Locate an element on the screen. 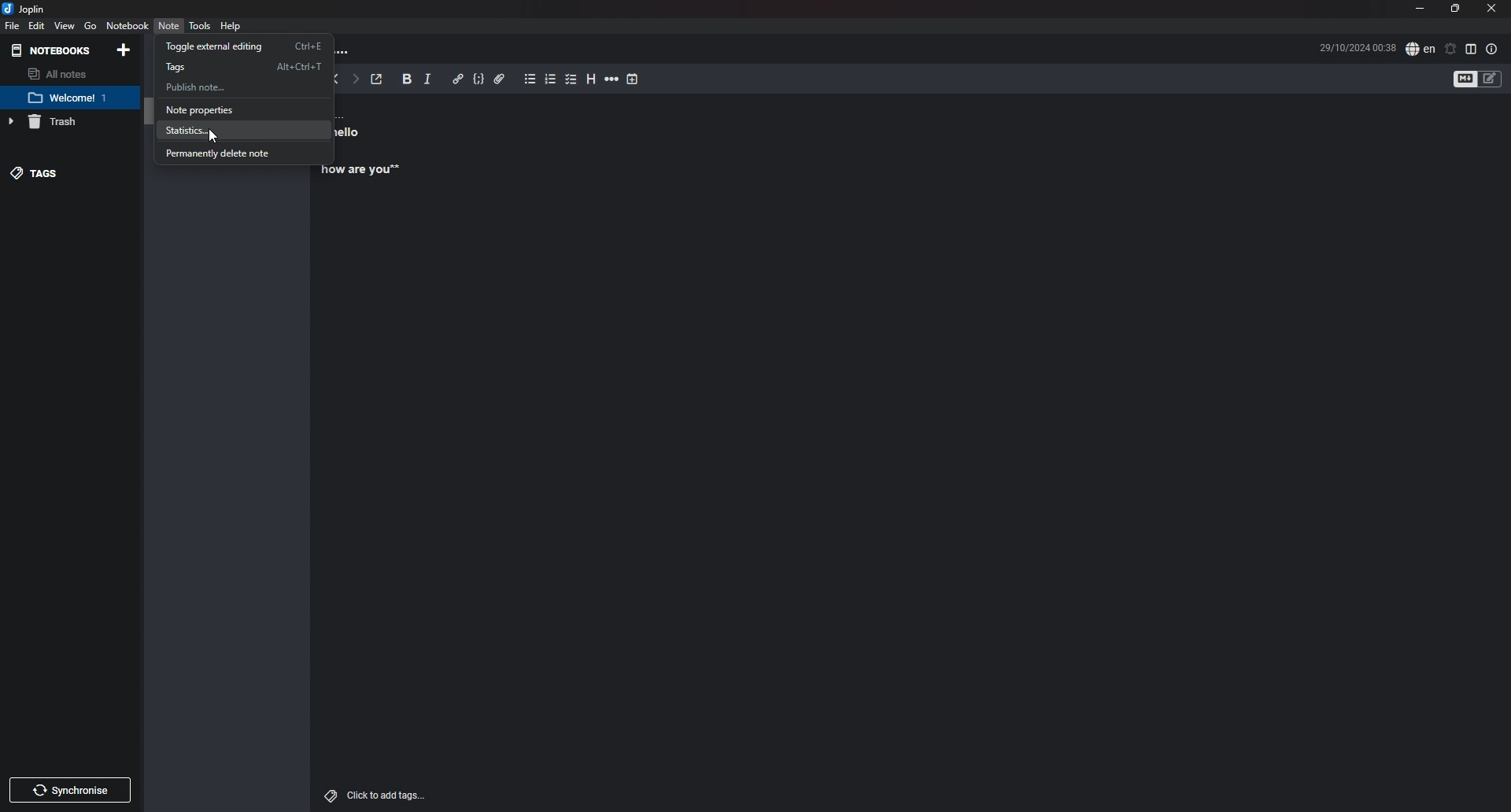  Permanently delete note is located at coordinates (233, 153).